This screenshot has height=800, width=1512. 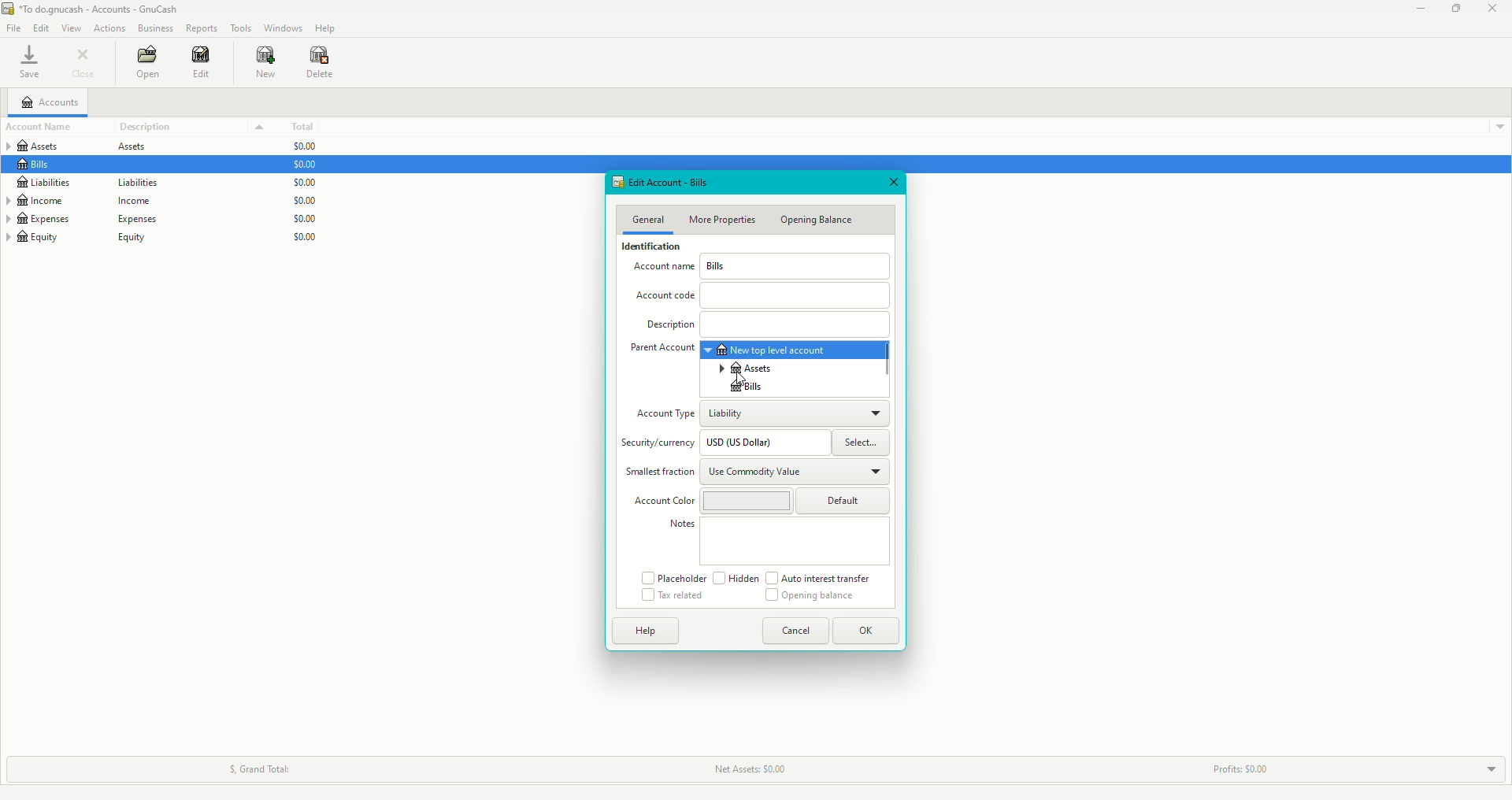 What do you see at coordinates (672, 577) in the screenshot?
I see `Placeholder` at bounding box center [672, 577].